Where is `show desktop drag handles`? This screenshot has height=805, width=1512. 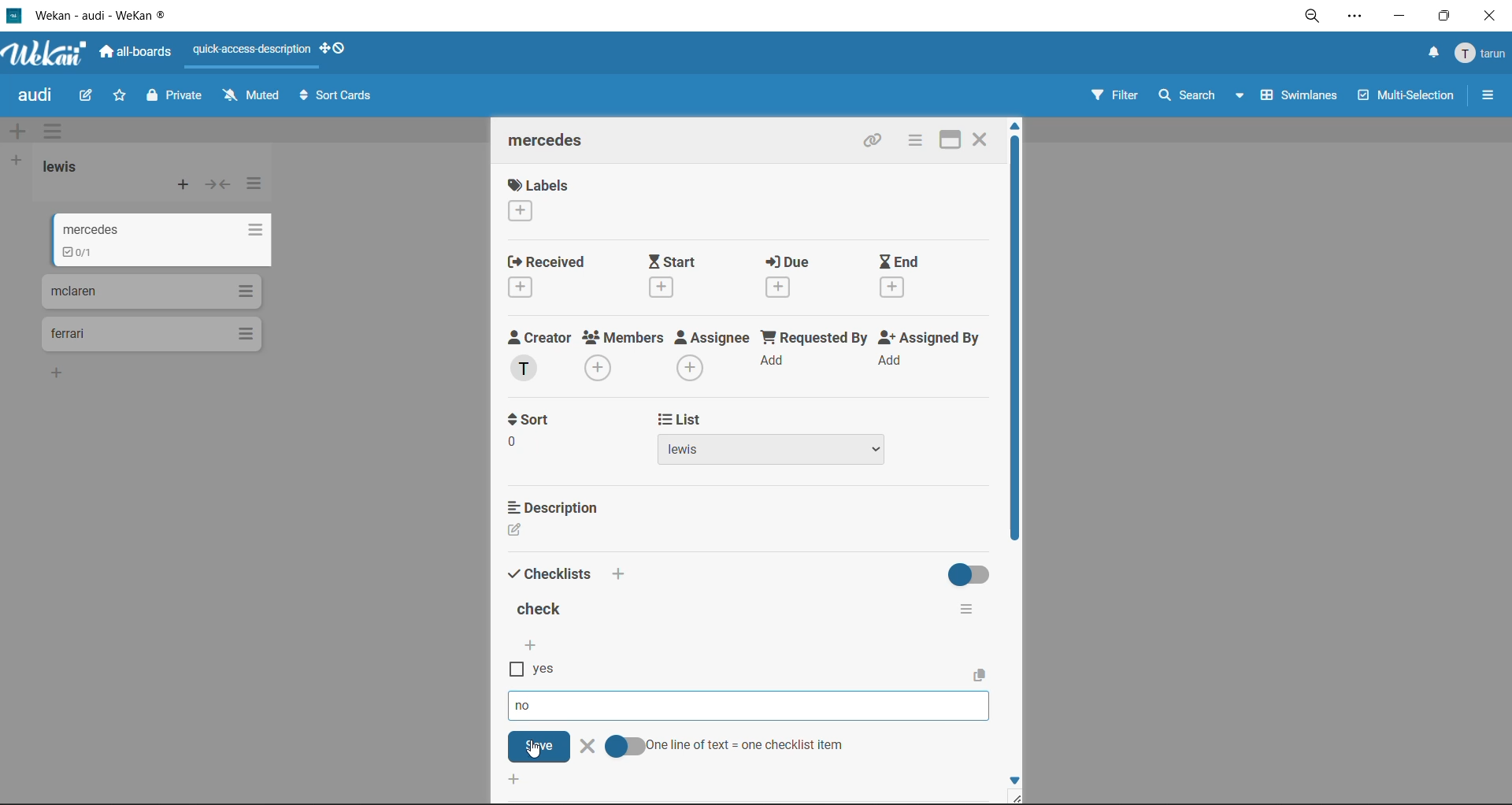
show desktop drag handles is located at coordinates (339, 48).